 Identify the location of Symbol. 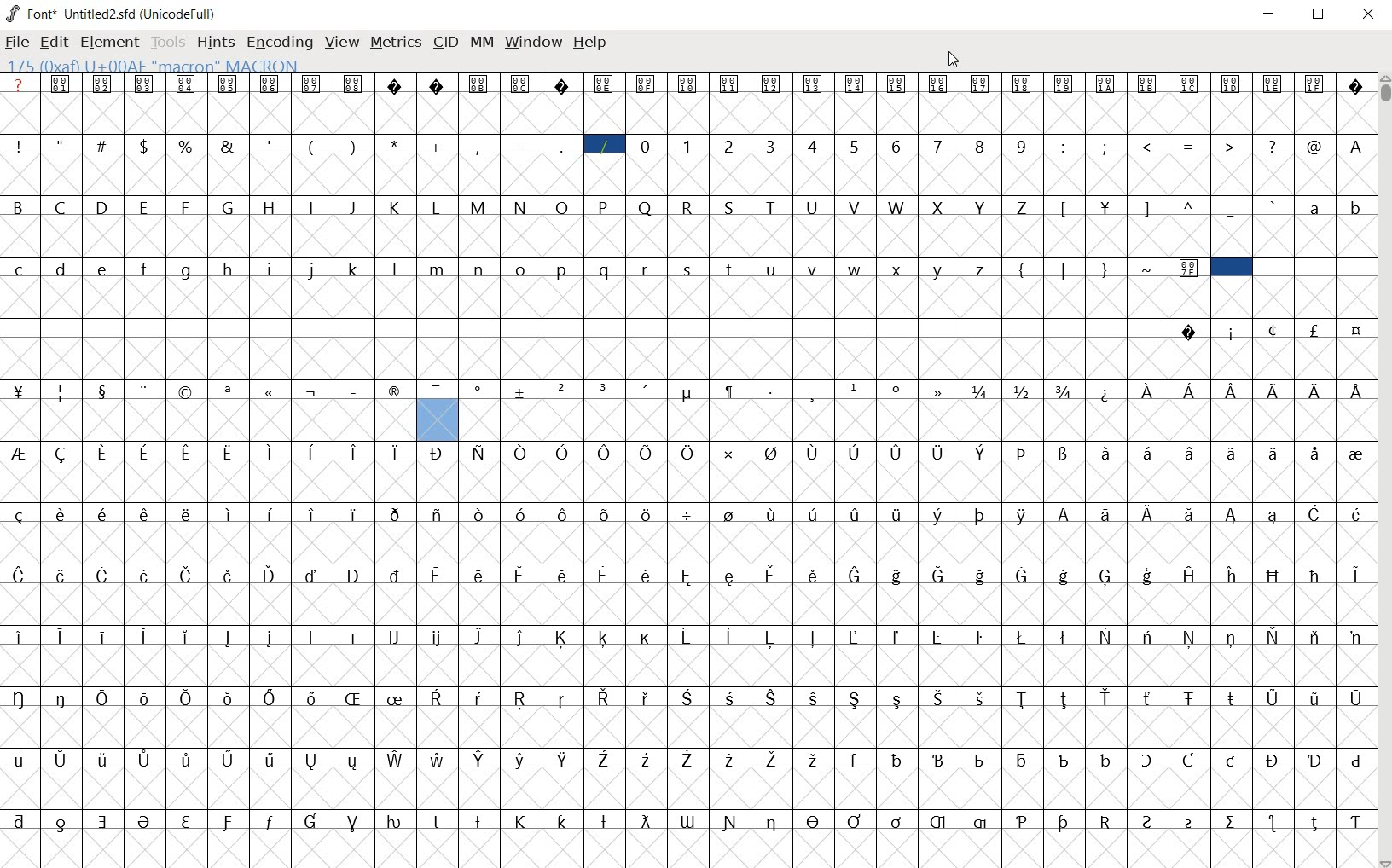
(816, 697).